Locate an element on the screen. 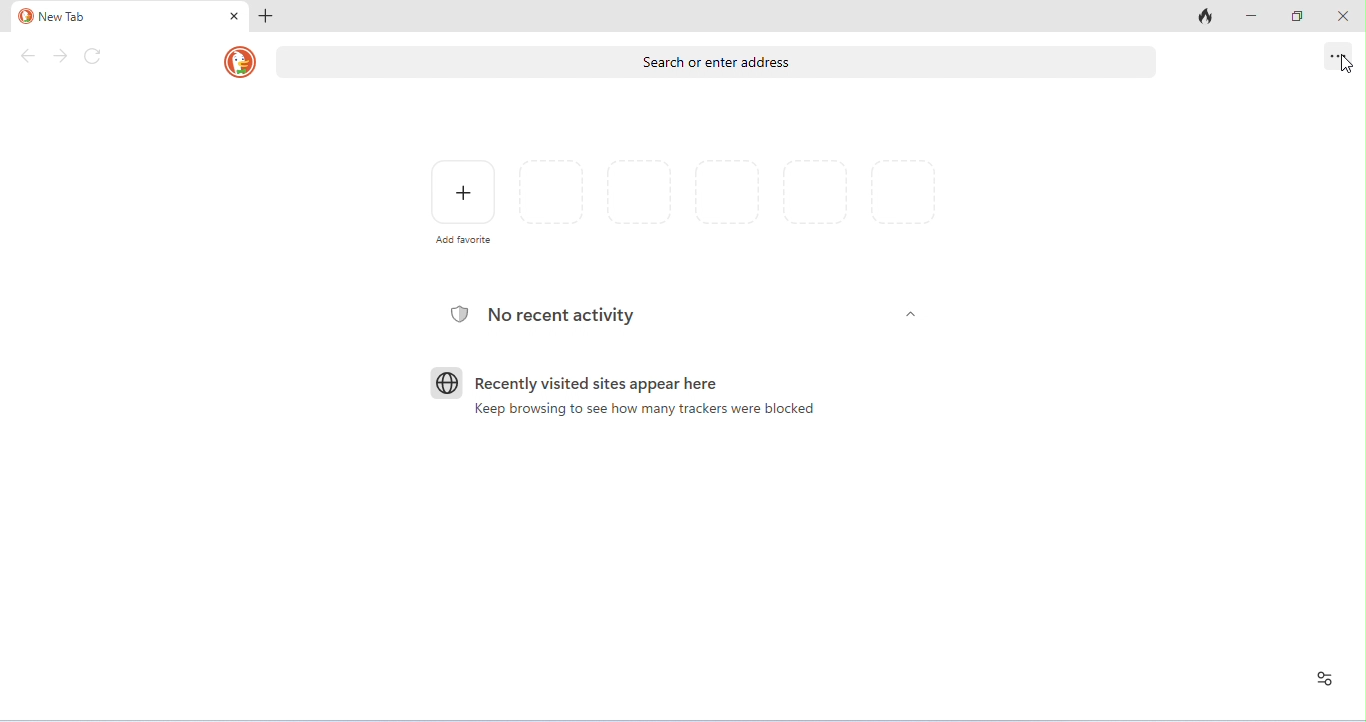 Image resolution: width=1366 pixels, height=722 pixels. keep browsing to see how many trackers were blocked is located at coordinates (637, 409).